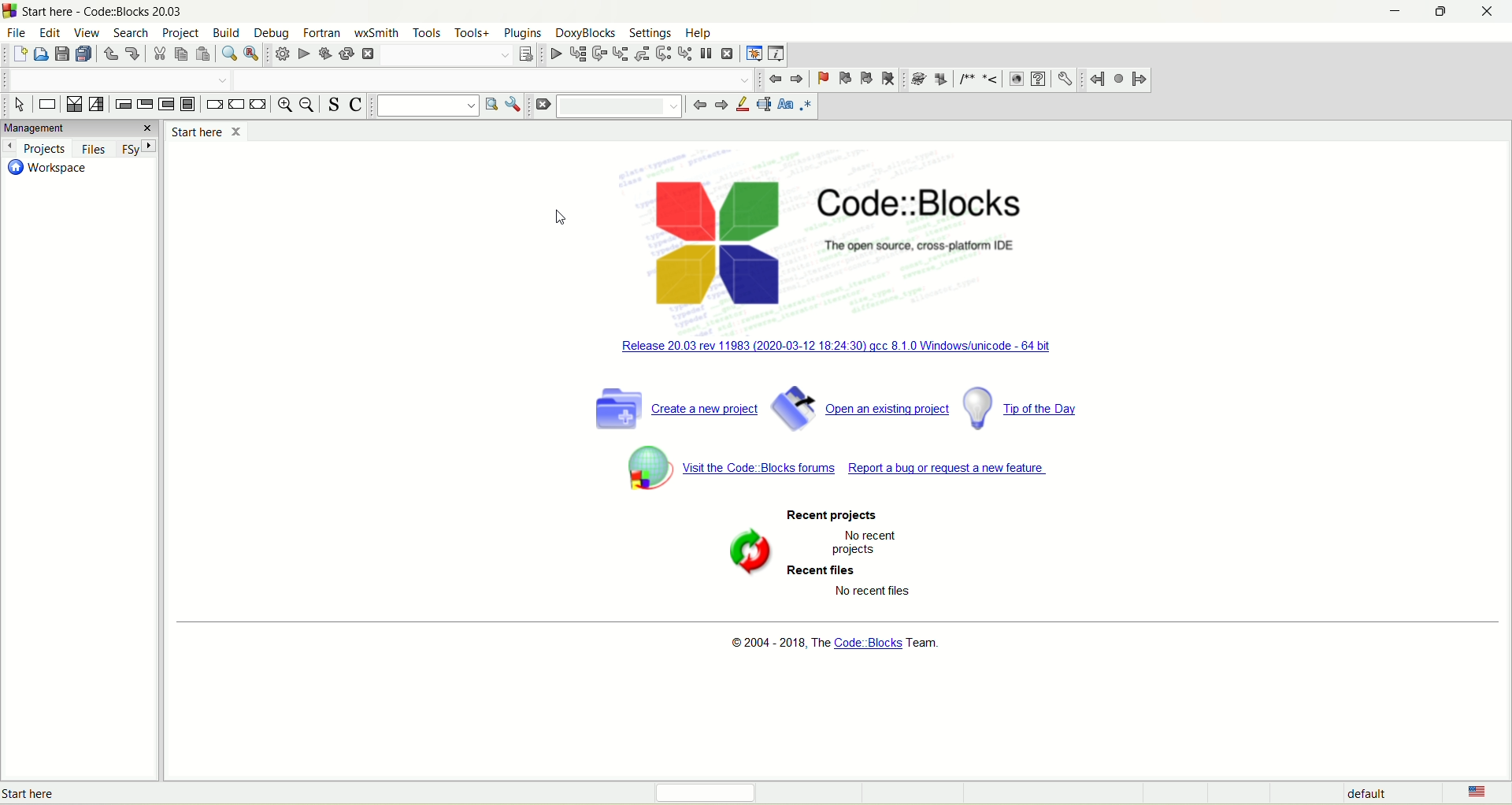 The image size is (1512, 805). What do you see at coordinates (875, 543) in the screenshot?
I see `text` at bounding box center [875, 543].